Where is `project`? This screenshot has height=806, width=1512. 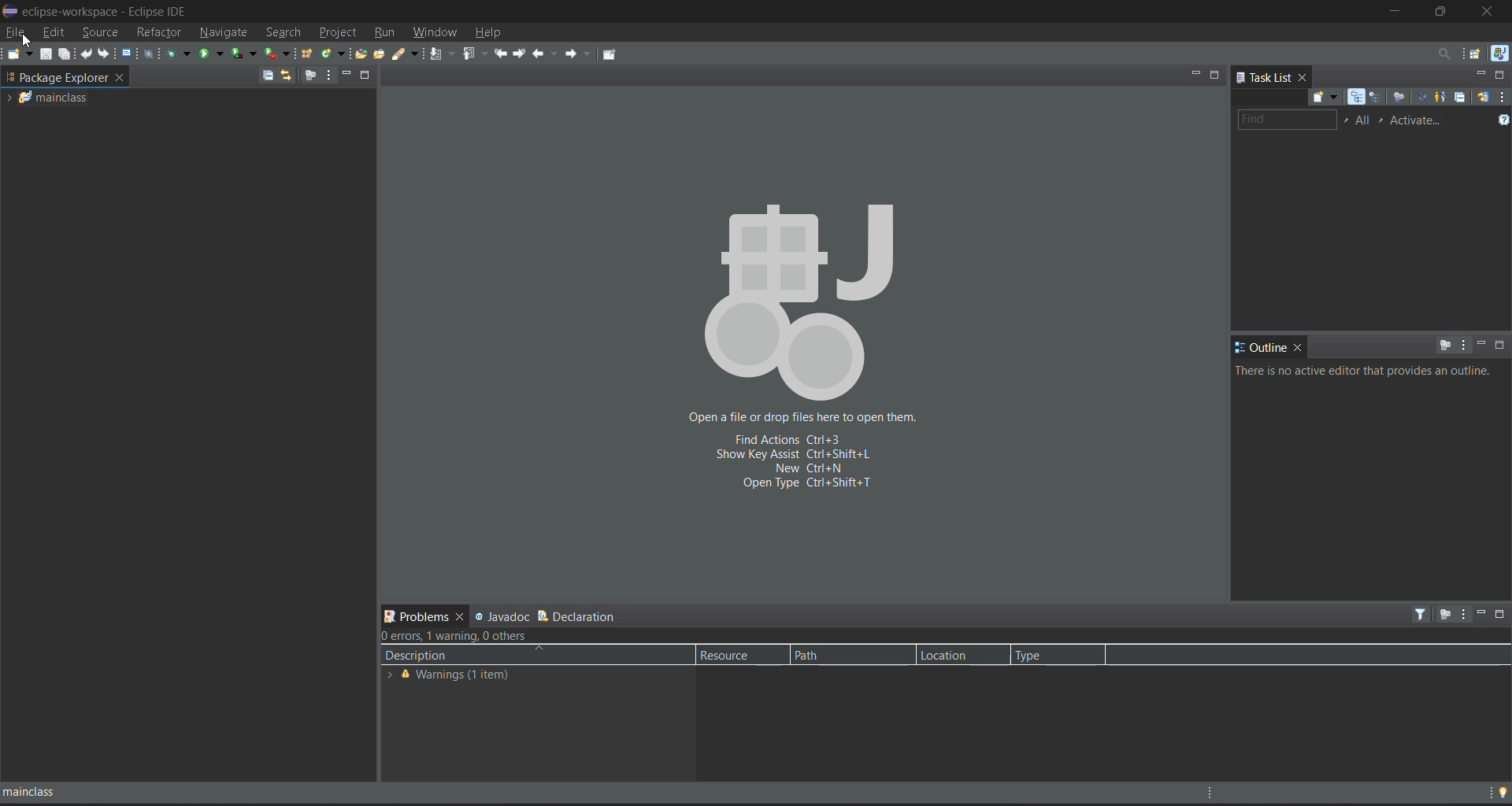
project is located at coordinates (339, 34).